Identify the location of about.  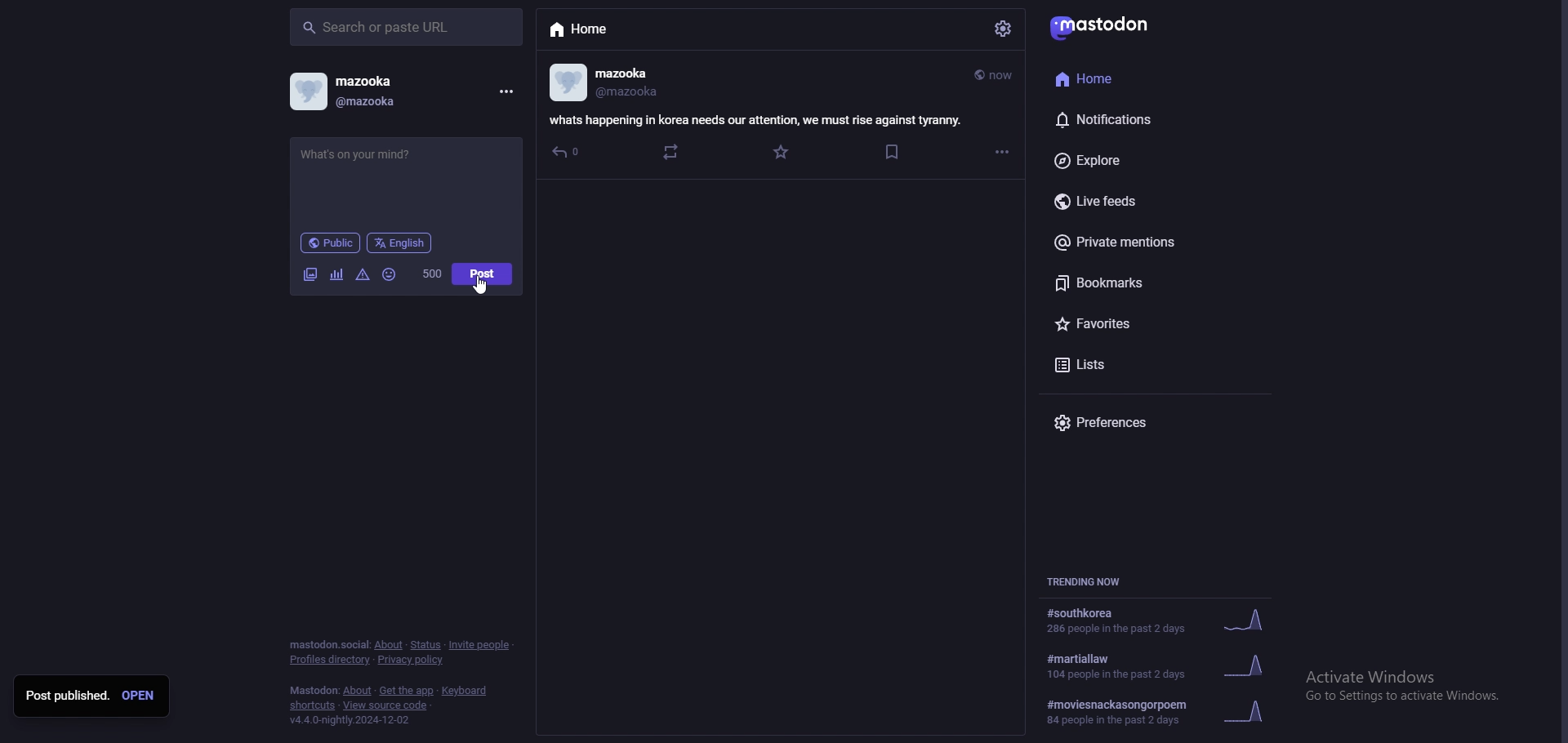
(390, 644).